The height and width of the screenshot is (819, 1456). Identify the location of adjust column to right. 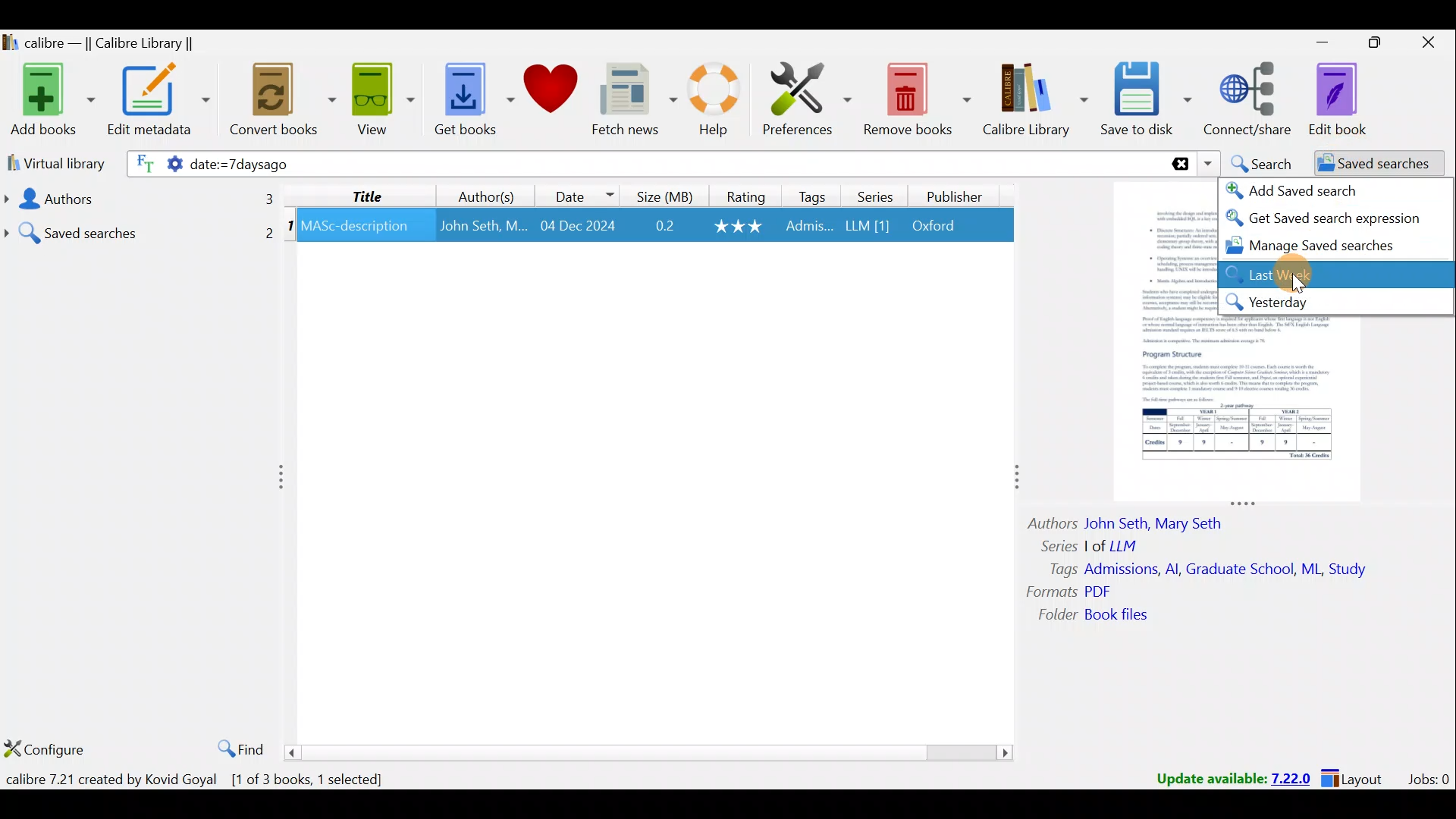
(1015, 481).